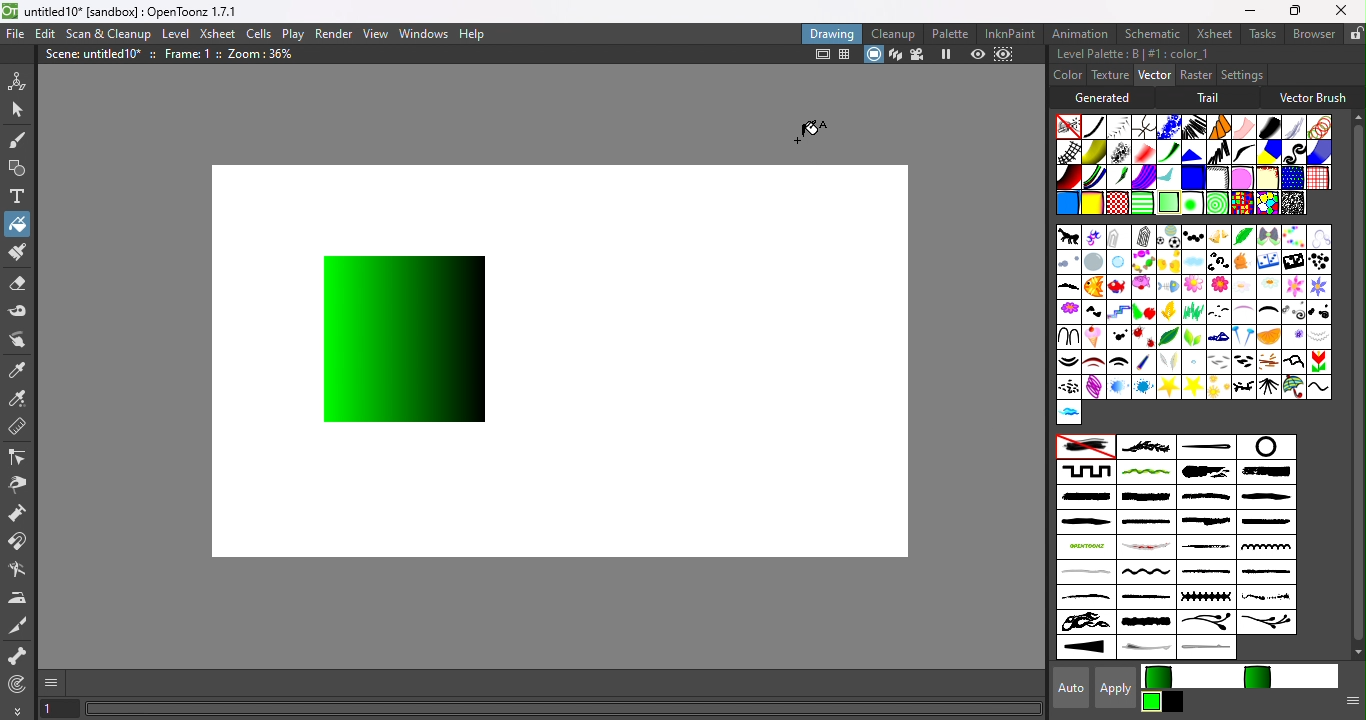 The height and width of the screenshot is (720, 1366). I want to click on medium_brush1, so click(1204, 497).